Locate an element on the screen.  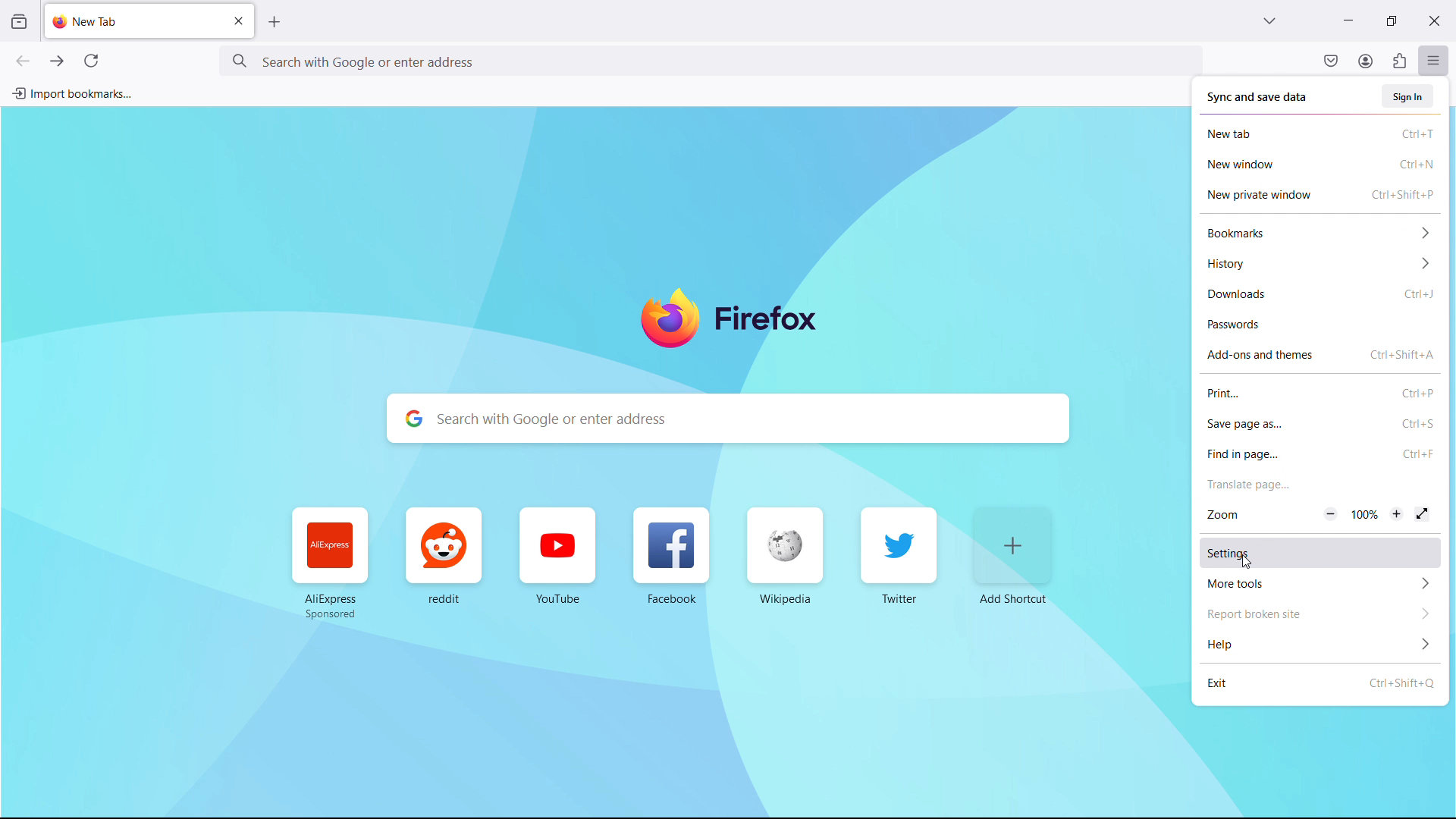
open new tab is located at coordinates (275, 22).